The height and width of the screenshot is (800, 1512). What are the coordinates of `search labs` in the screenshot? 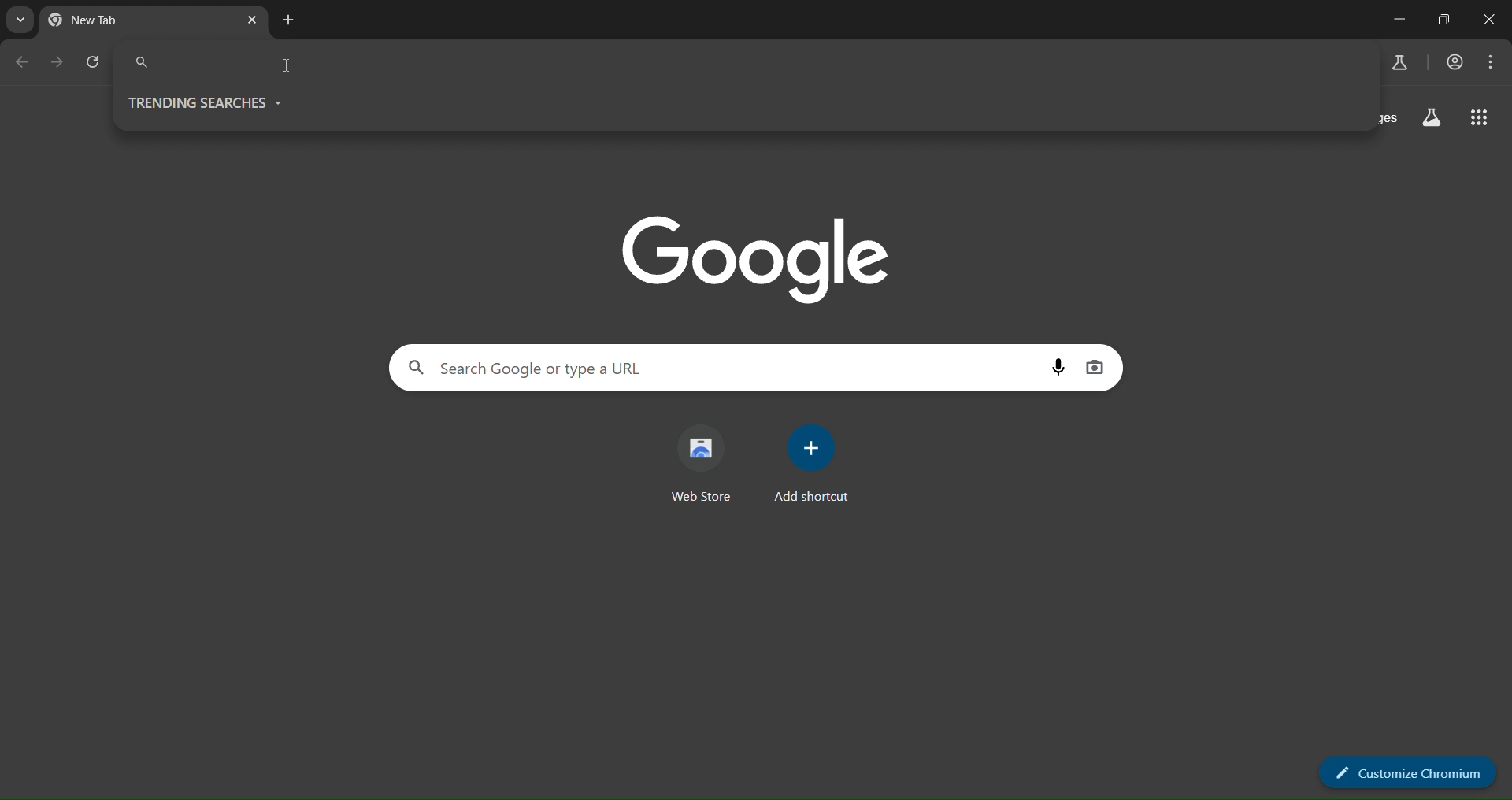 It's located at (1399, 63).